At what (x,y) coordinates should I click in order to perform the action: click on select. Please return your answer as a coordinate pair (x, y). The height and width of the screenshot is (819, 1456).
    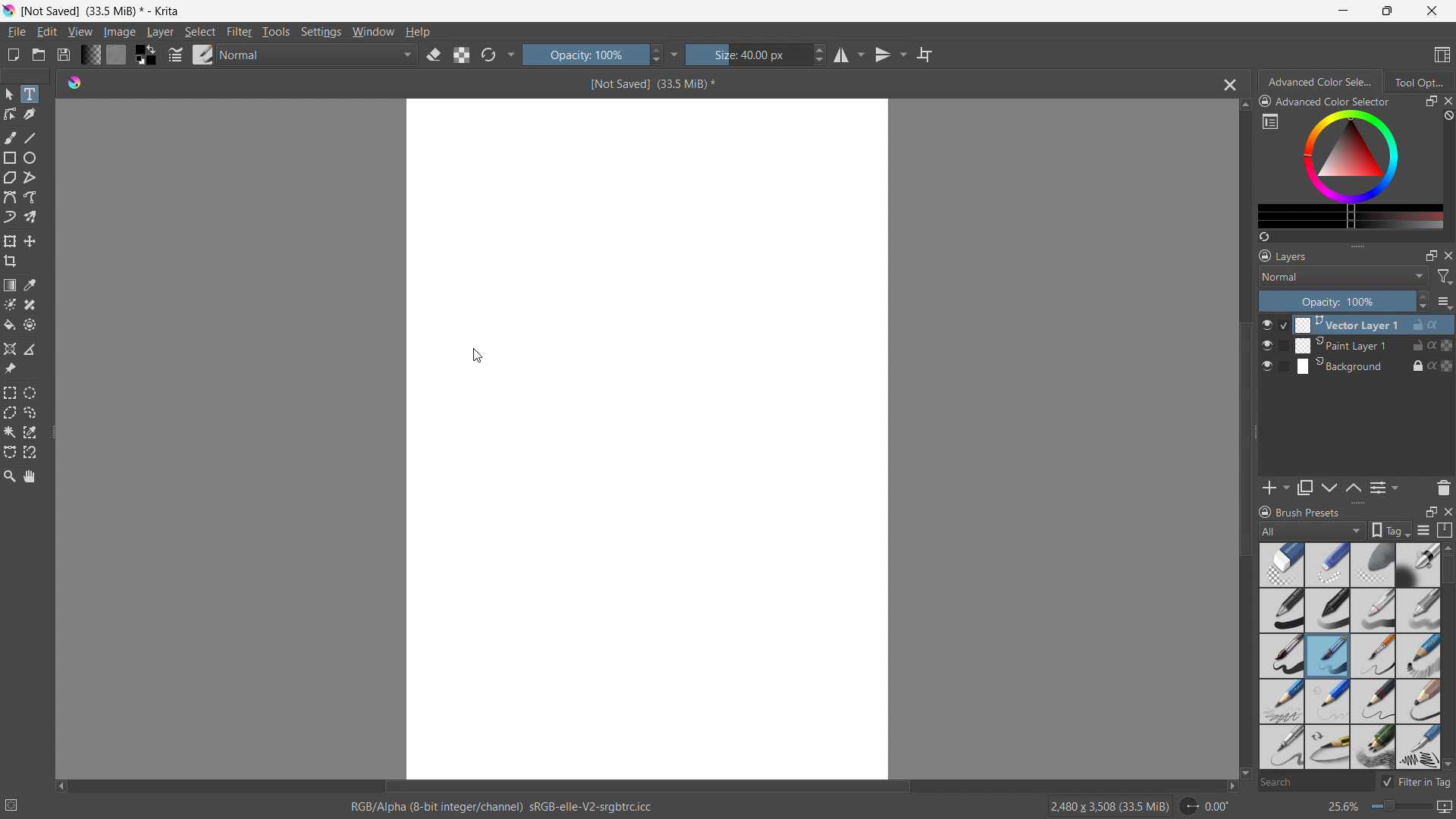
    Looking at the image, I should click on (199, 32).